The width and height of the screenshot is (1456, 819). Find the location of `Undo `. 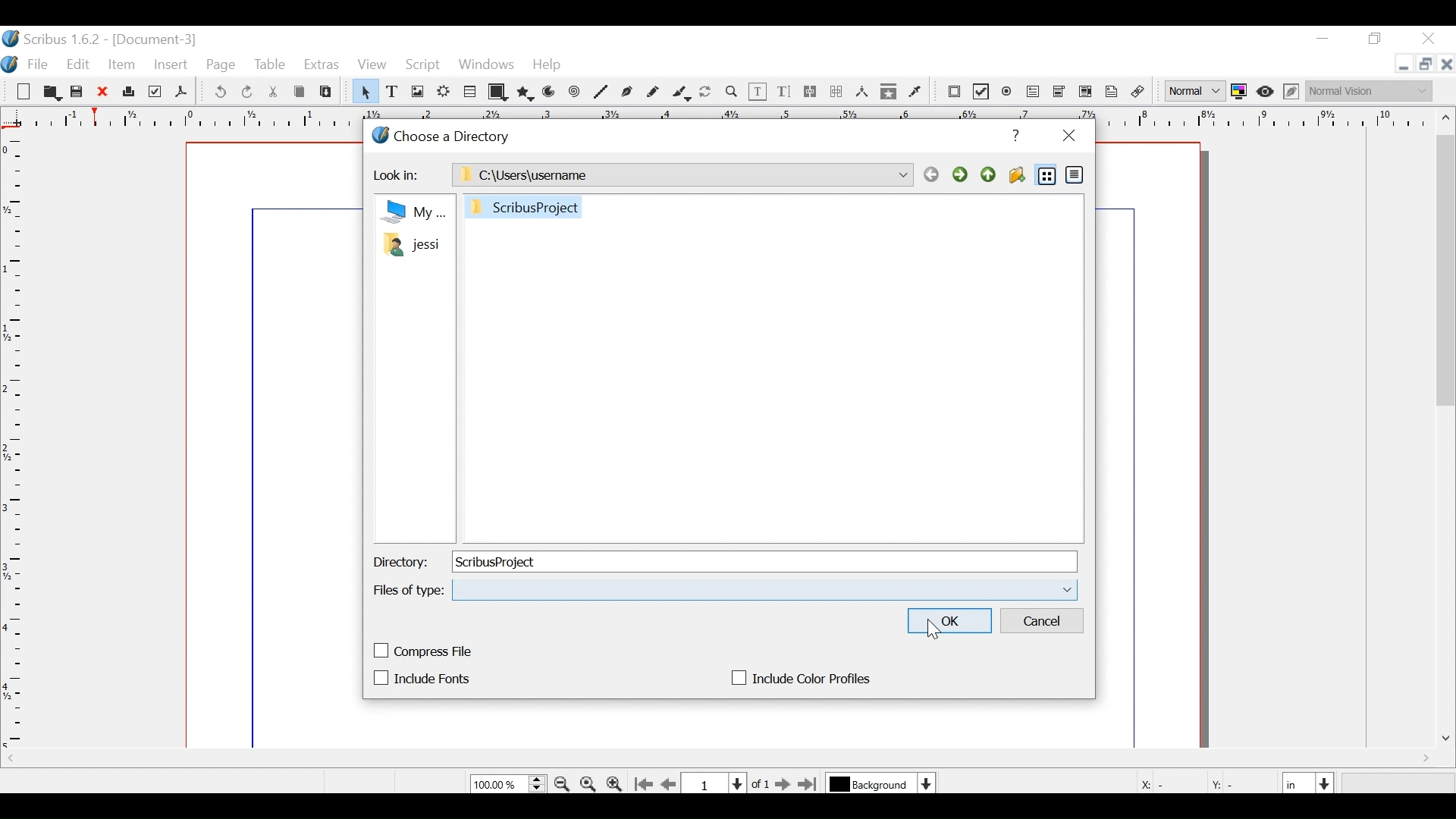

Undo  is located at coordinates (221, 93).